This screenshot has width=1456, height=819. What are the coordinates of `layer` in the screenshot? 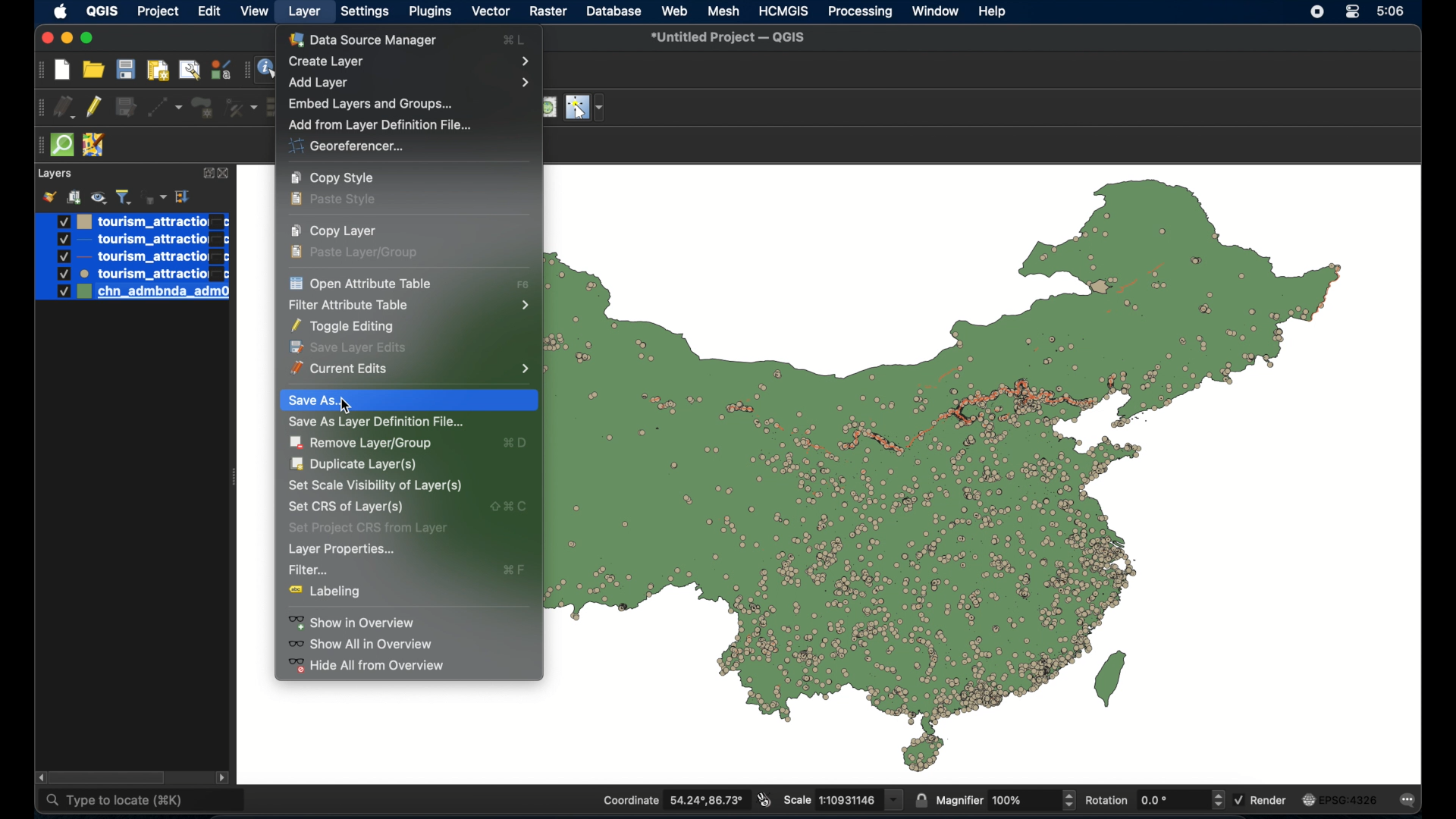 It's located at (307, 11).